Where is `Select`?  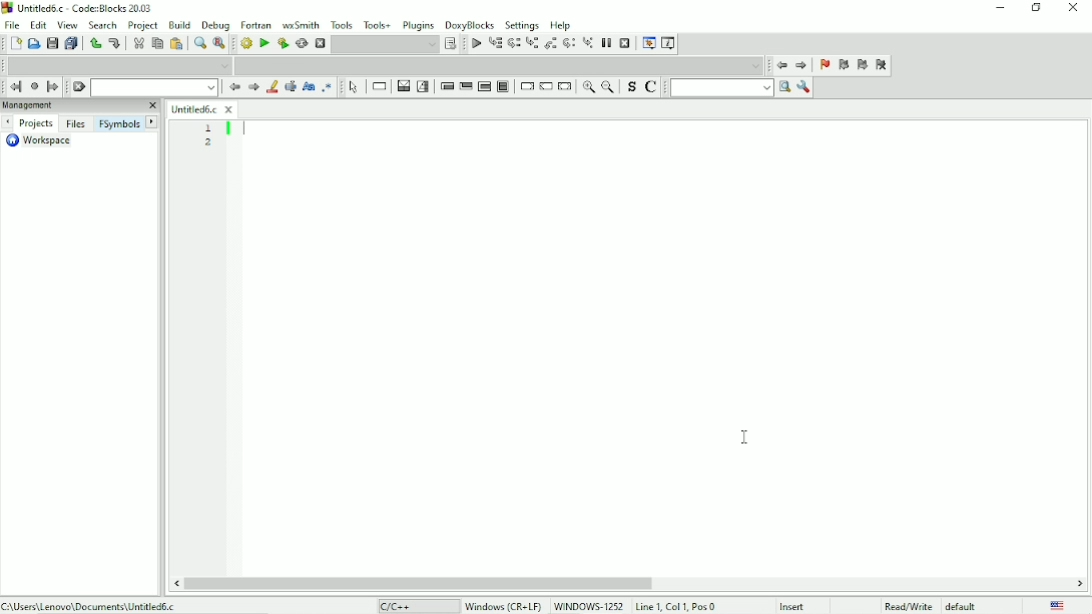
Select is located at coordinates (353, 88).